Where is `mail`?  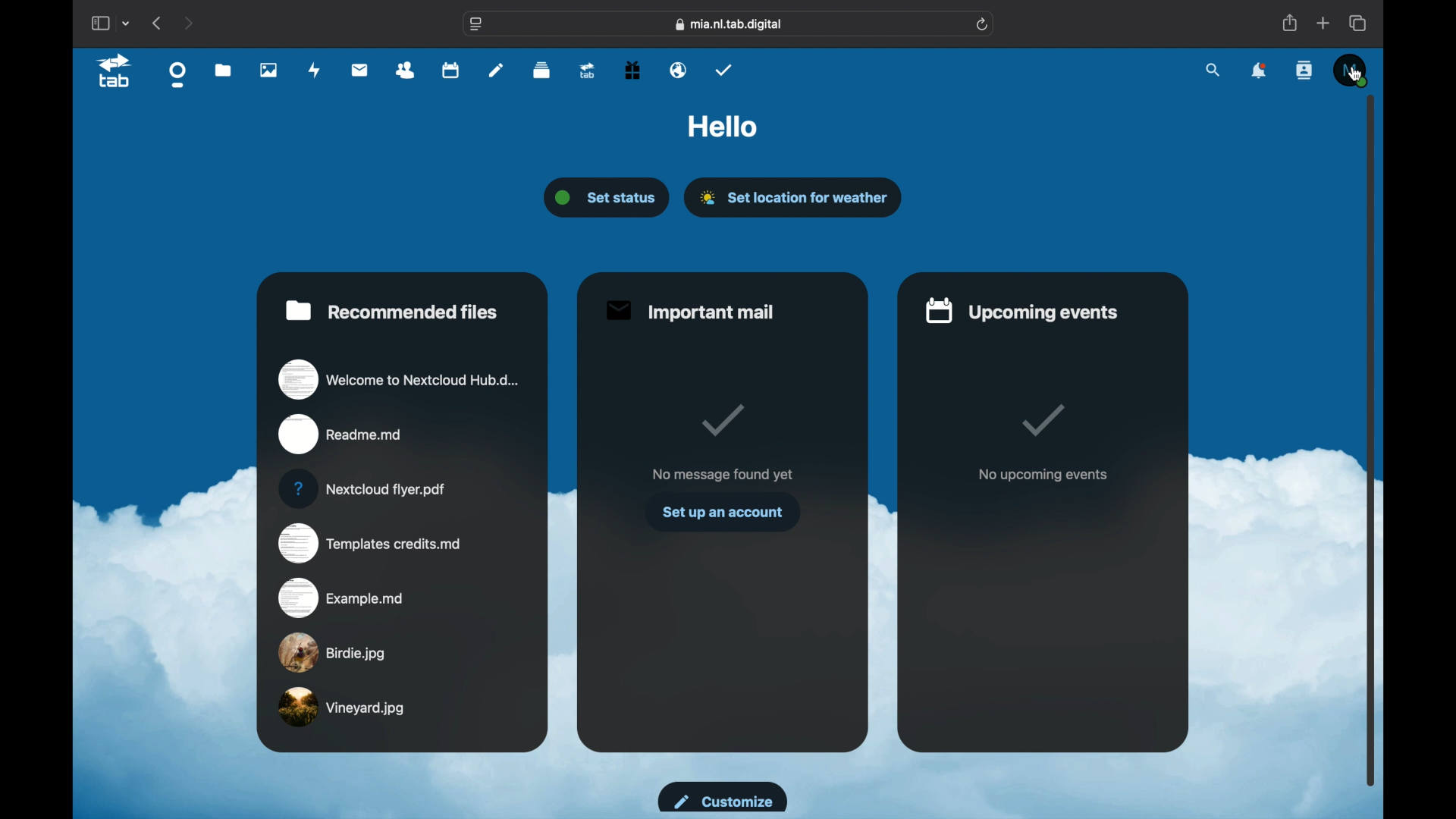
mail is located at coordinates (359, 70).